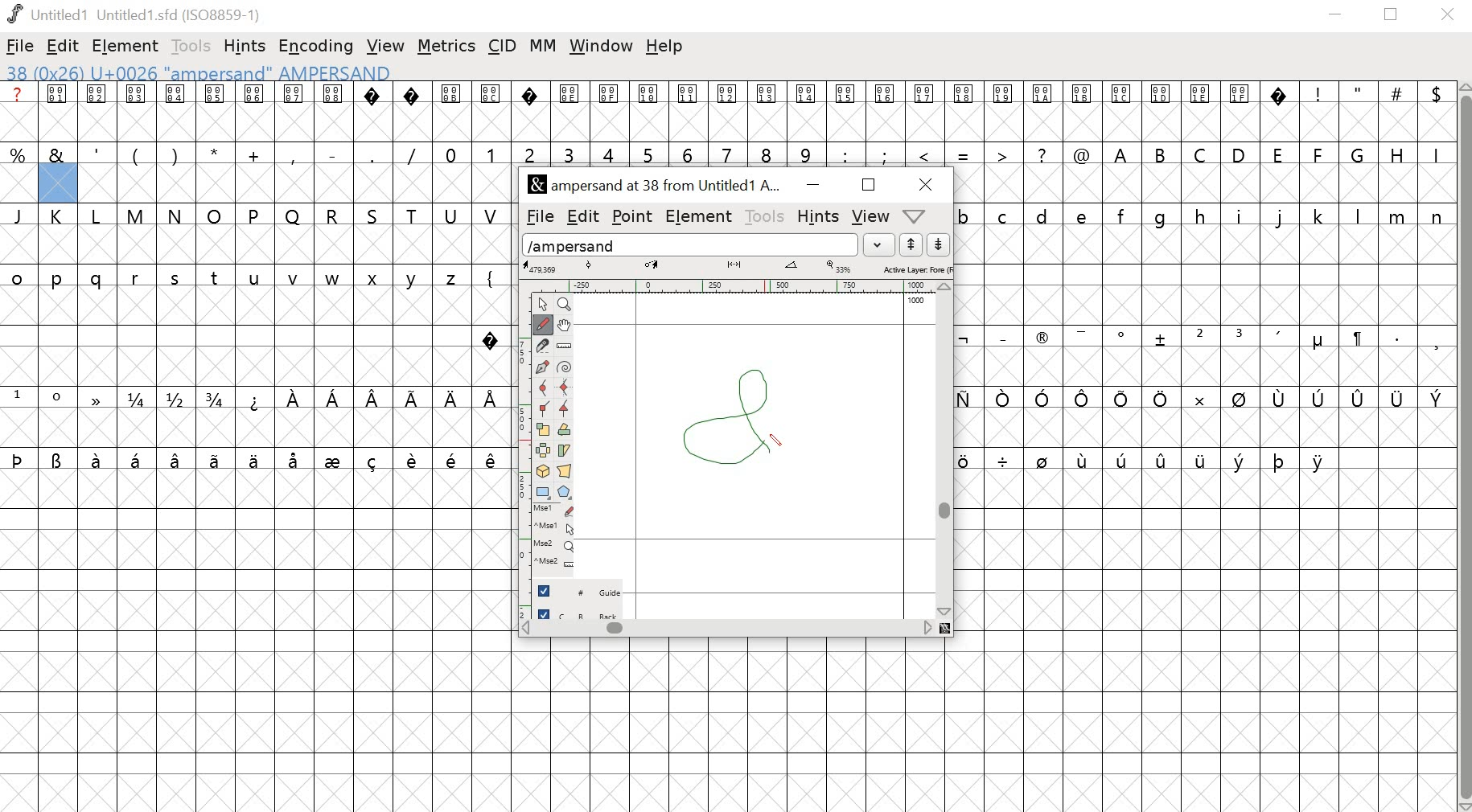 This screenshot has height=812, width=1472. Describe the element at coordinates (584, 590) in the screenshot. I see `selection toggle Guide` at that location.